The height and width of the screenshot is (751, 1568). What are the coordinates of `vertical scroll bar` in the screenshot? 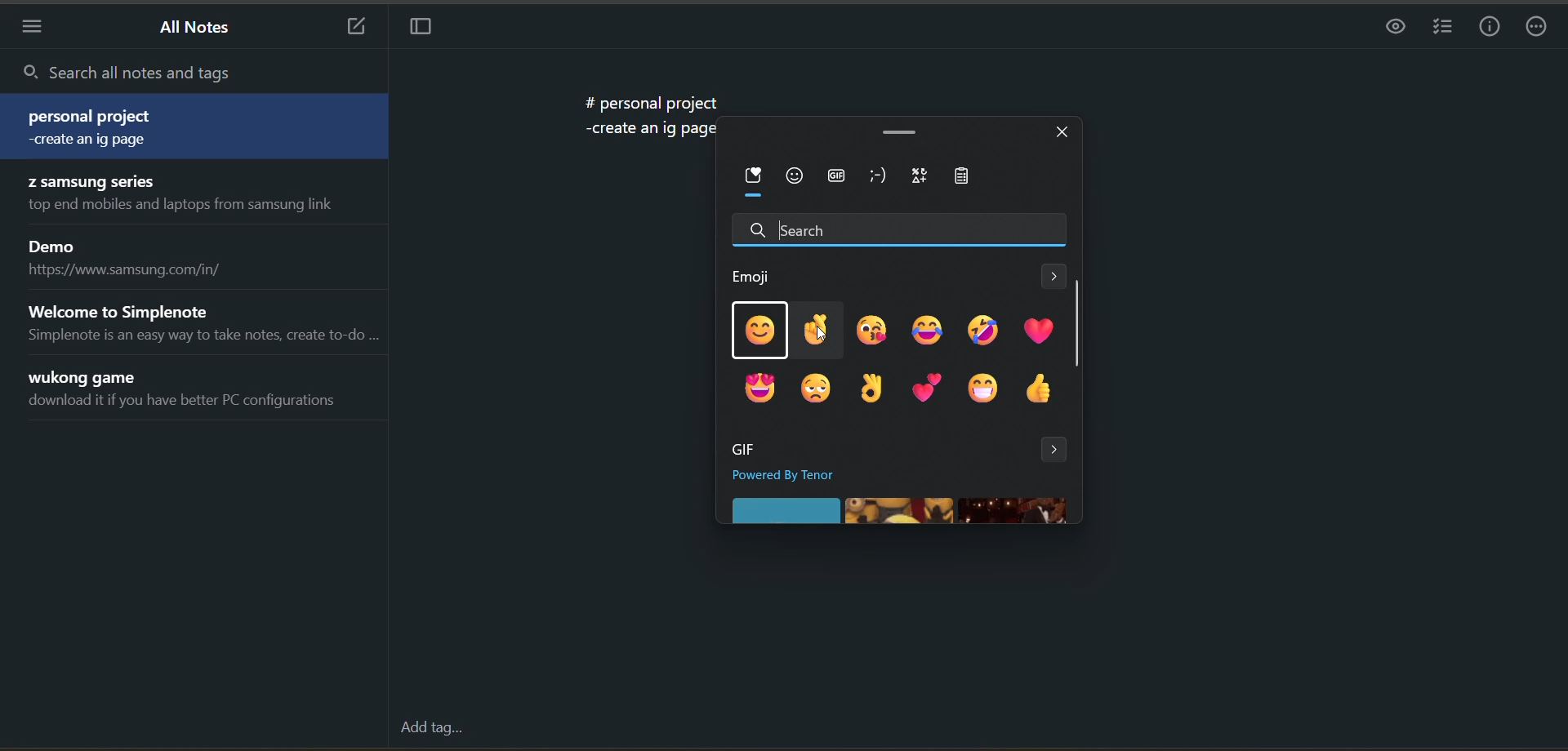 It's located at (1078, 322).